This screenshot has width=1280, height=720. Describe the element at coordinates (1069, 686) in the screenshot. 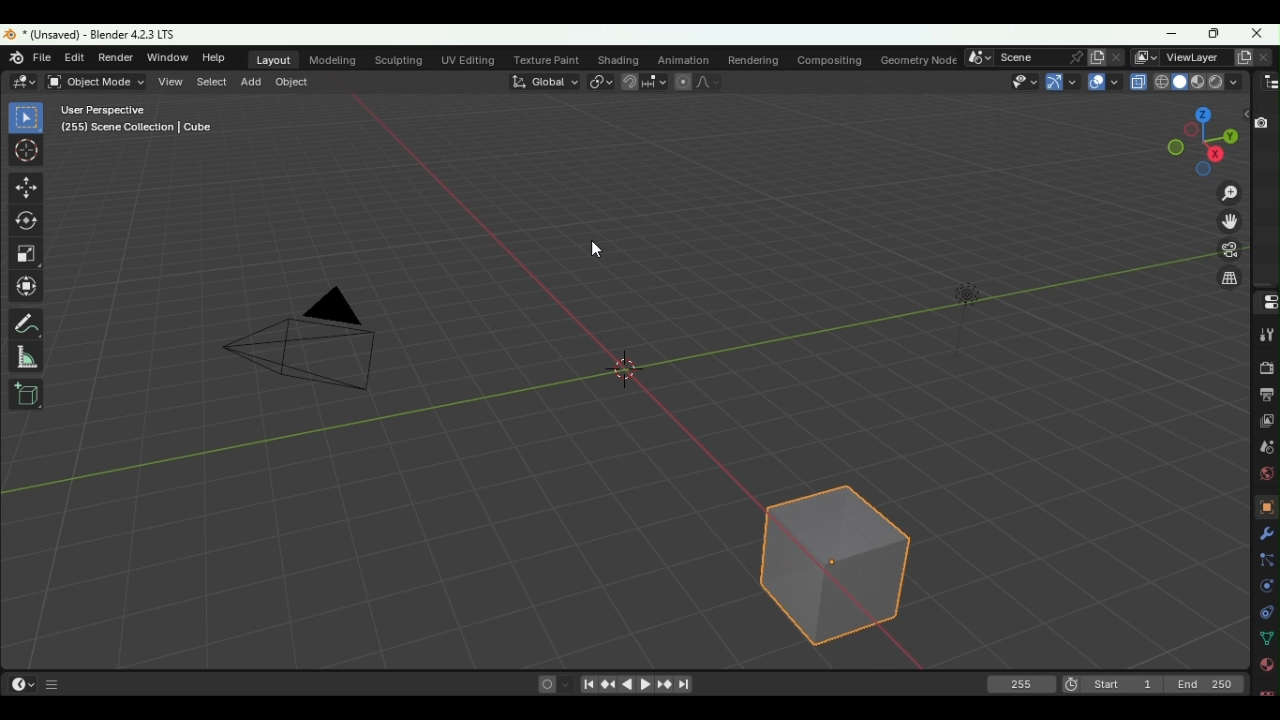

I see `Use preview range` at that location.